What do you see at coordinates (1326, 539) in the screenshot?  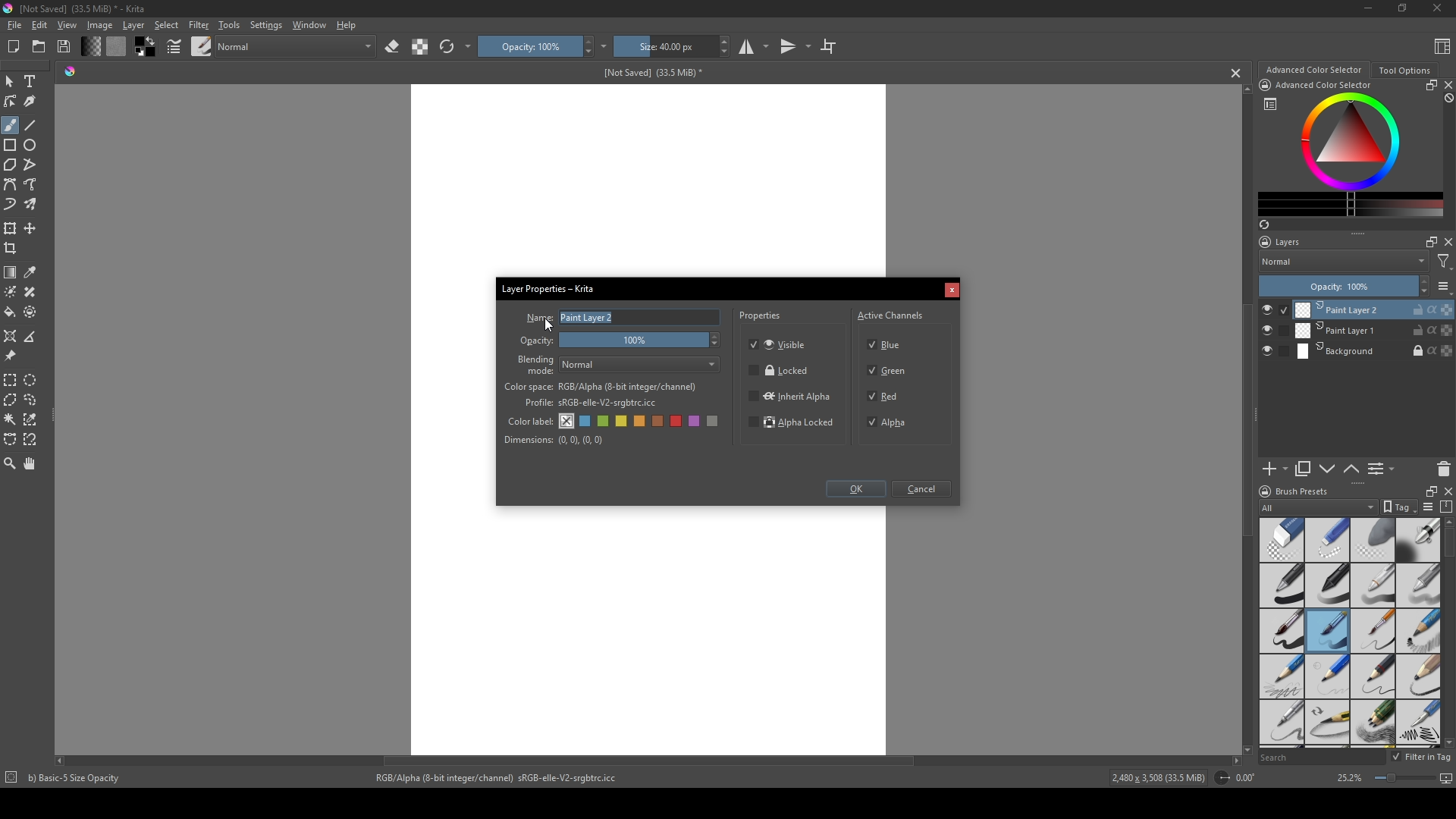 I see `hard eraser` at bounding box center [1326, 539].